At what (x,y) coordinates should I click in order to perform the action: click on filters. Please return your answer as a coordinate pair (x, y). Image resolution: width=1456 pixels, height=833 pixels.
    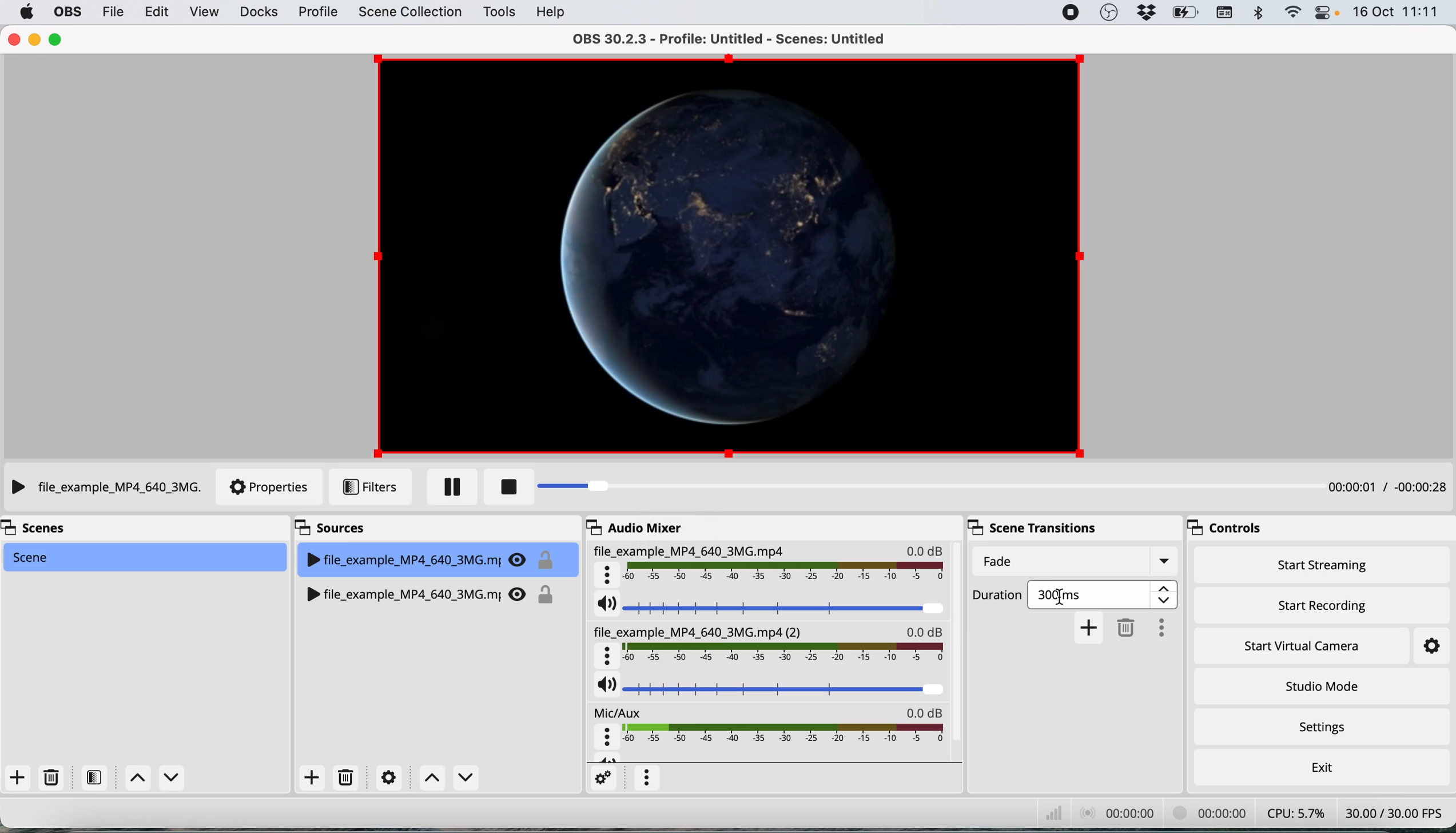
    Looking at the image, I should click on (372, 490).